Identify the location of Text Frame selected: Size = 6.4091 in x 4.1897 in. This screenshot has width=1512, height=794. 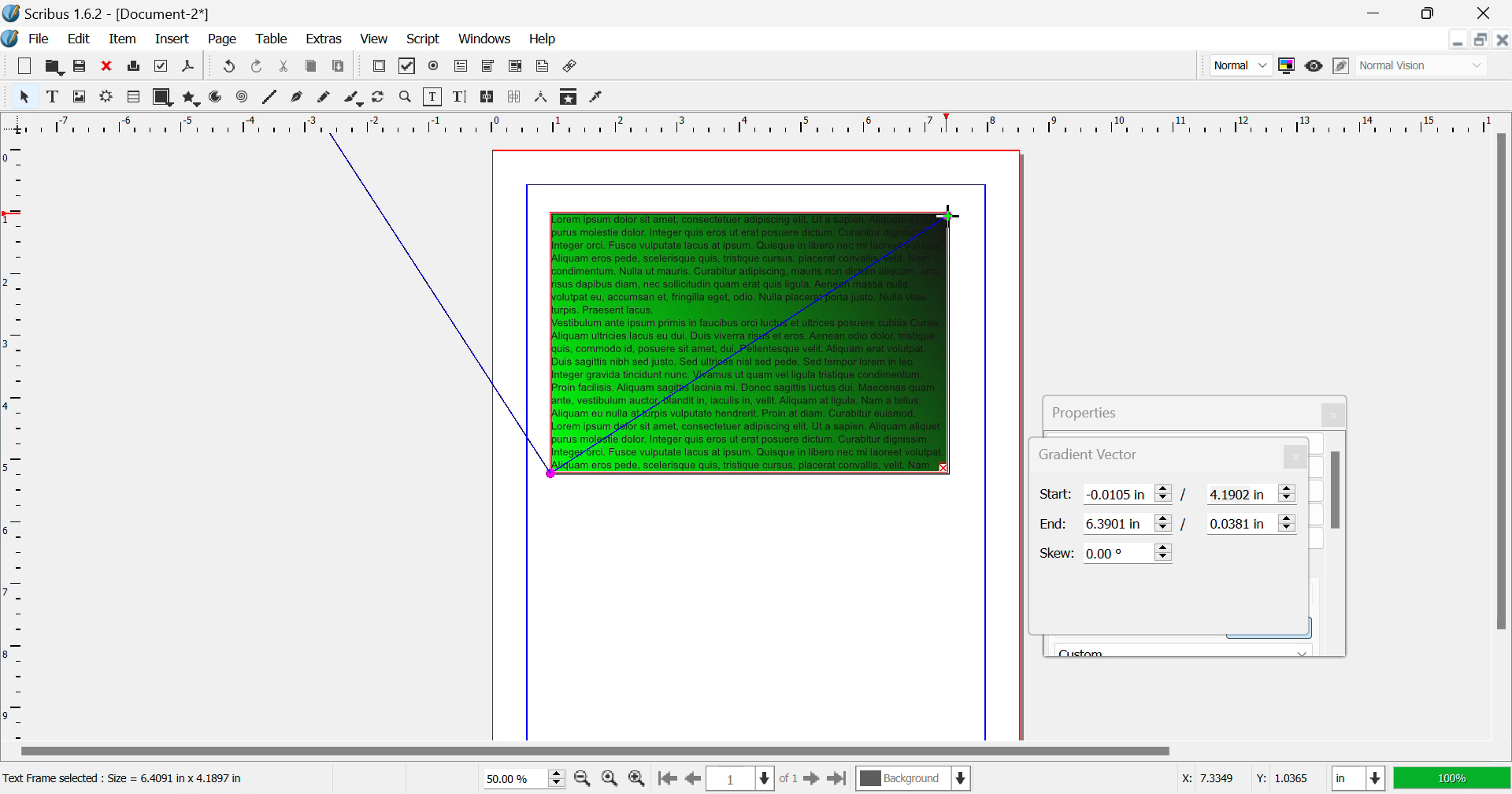
(127, 779).